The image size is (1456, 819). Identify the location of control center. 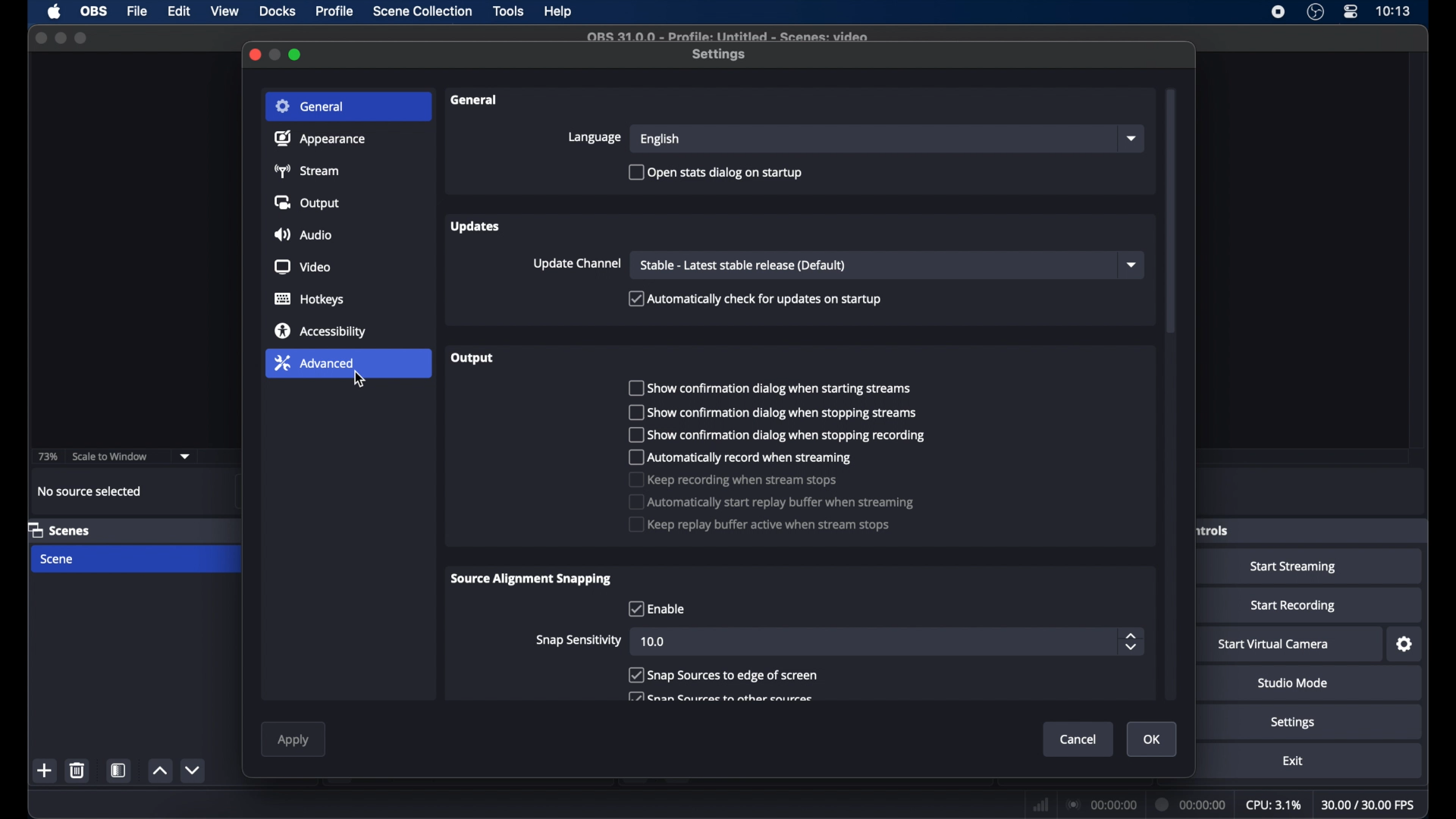
(1350, 12).